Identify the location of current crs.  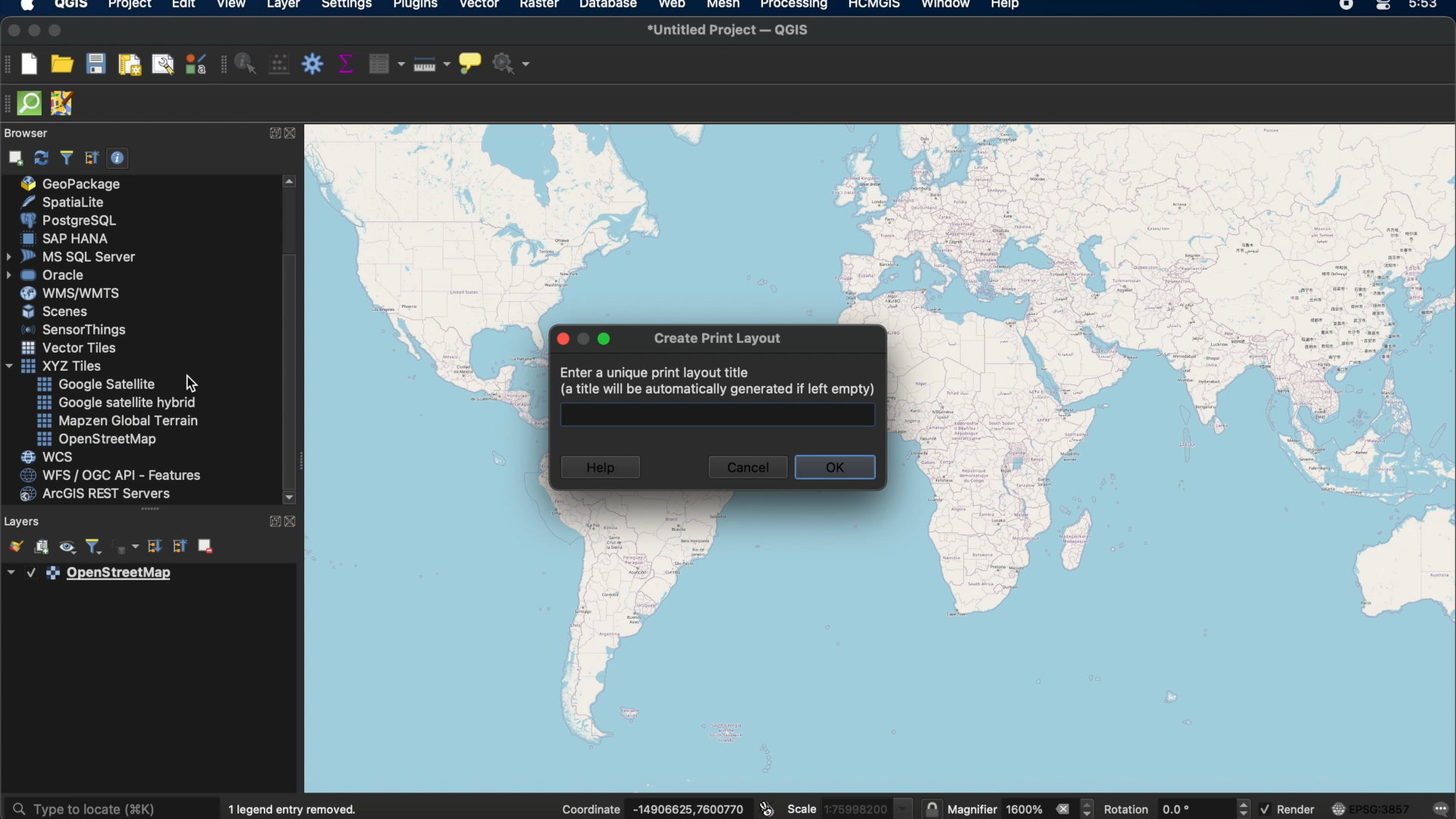
(1370, 807).